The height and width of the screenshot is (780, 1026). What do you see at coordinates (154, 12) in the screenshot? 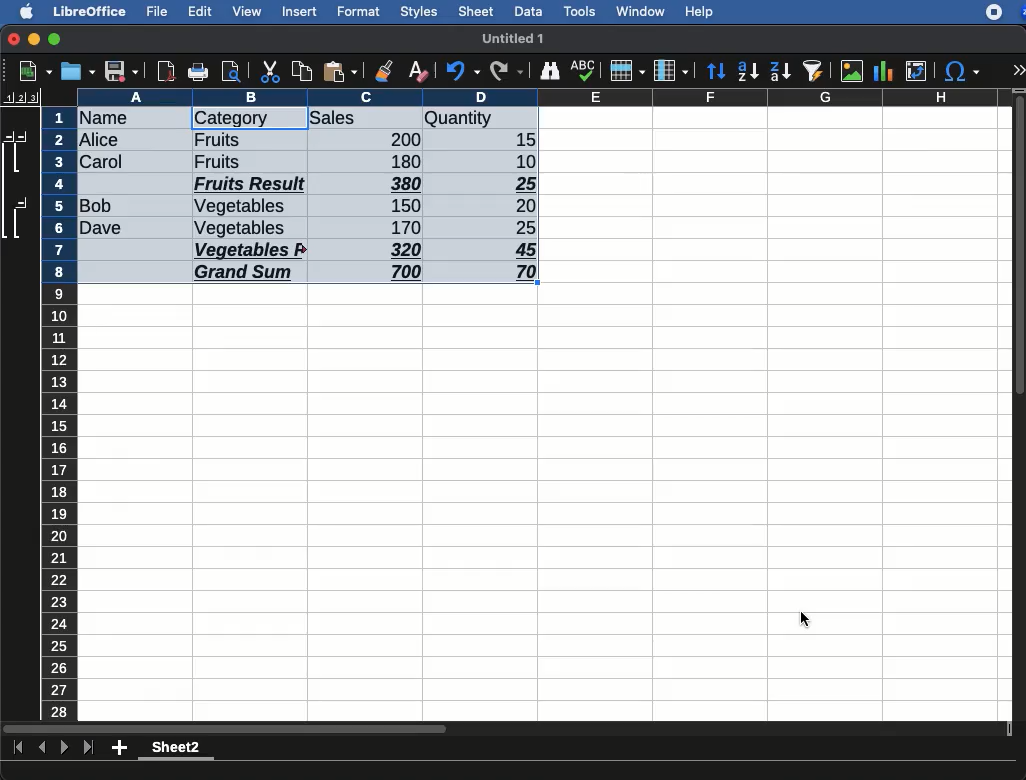
I see `file` at bounding box center [154, 12].